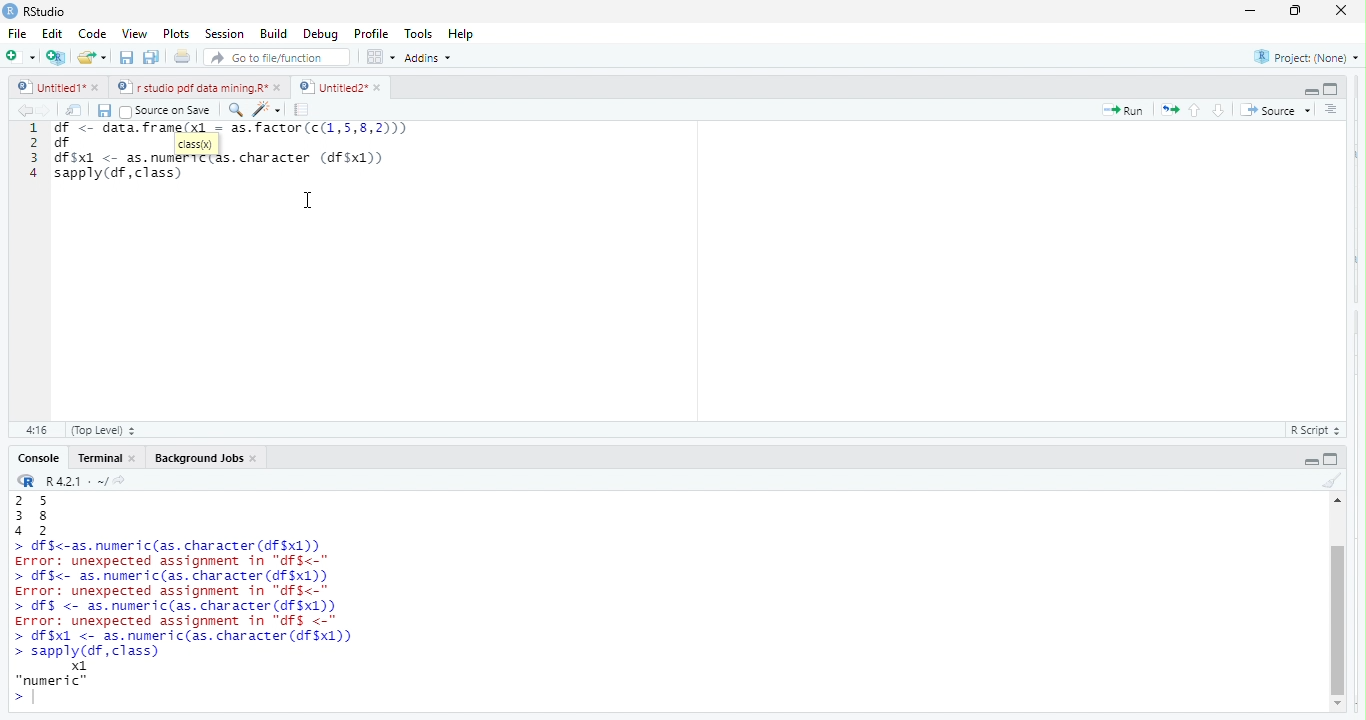 The image size is (1366, 720). Describe the element at coordinates (1168, 111) in the screenshot. I see `re run the previous code region` at that location.